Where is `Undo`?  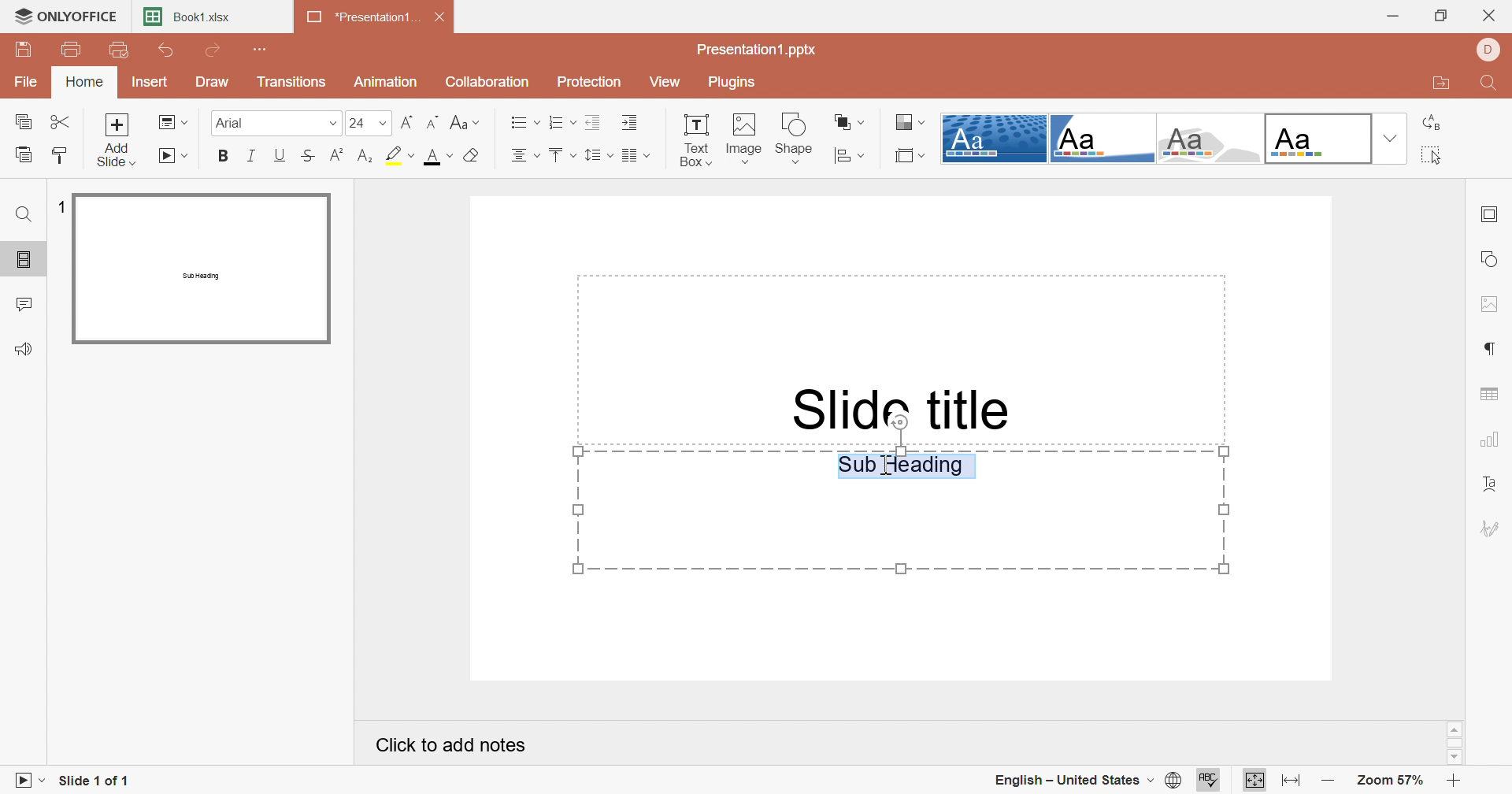 Undo is located at coordinates (169, 50).